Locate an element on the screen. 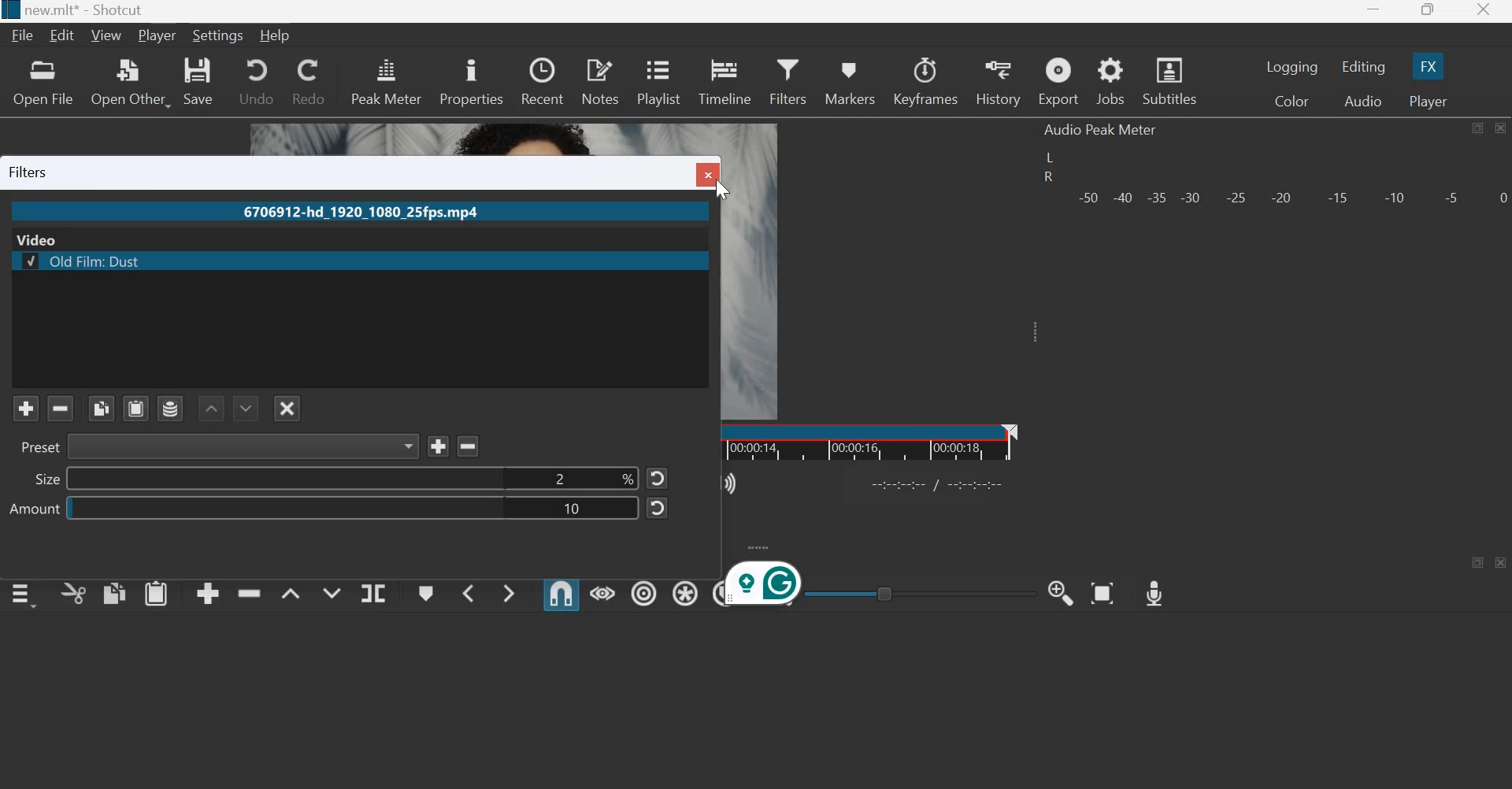 This screenshot has width=1512, height=789. Volume meter is located at coordinates (1291, 195).